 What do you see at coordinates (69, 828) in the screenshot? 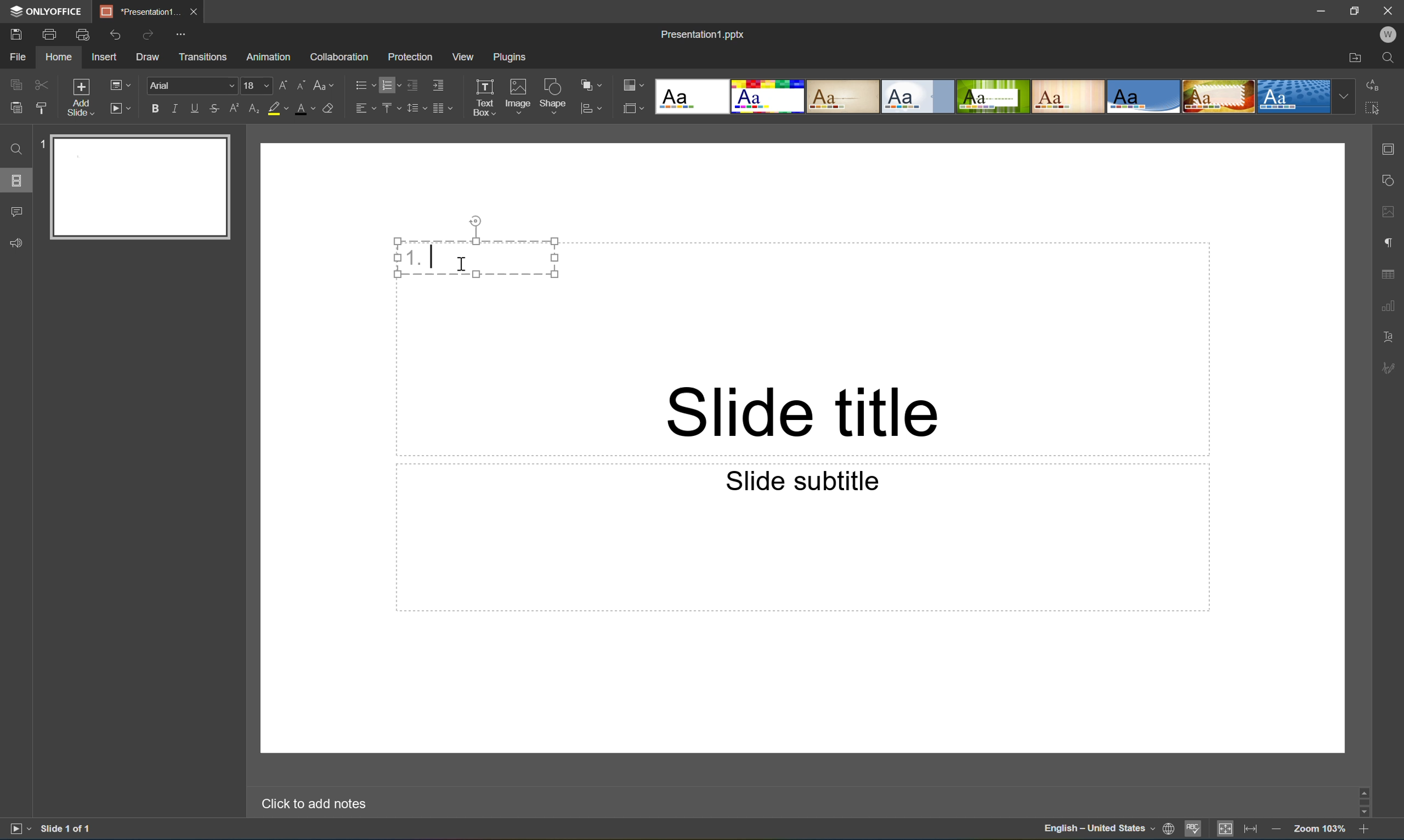
I see `Slide 1 of 1` at bounding box center [69, 828].